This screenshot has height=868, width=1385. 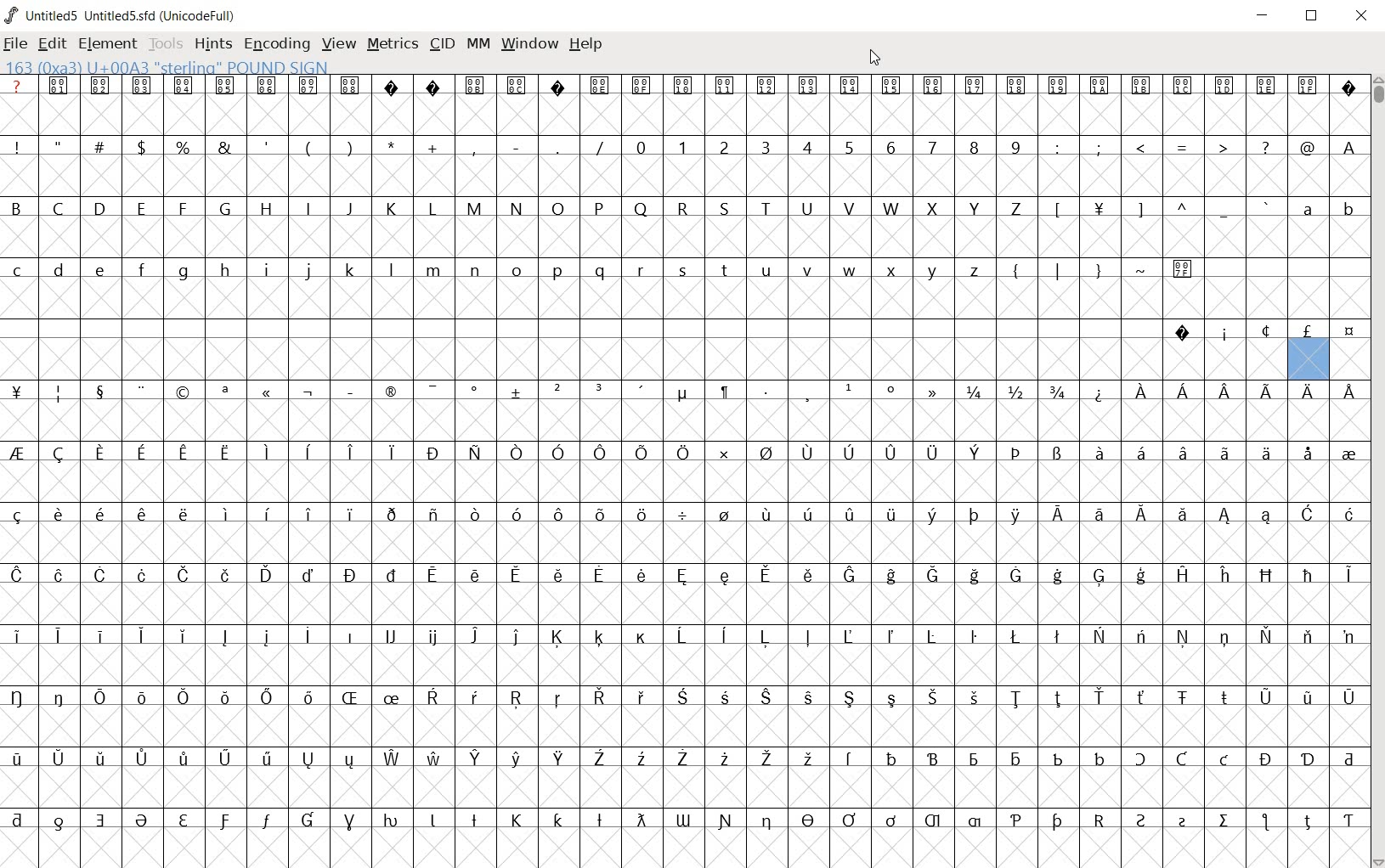 What do you see at coordinates (974, 392) in the screenshot?
I see `1/4` at bounding box center [974, 392].